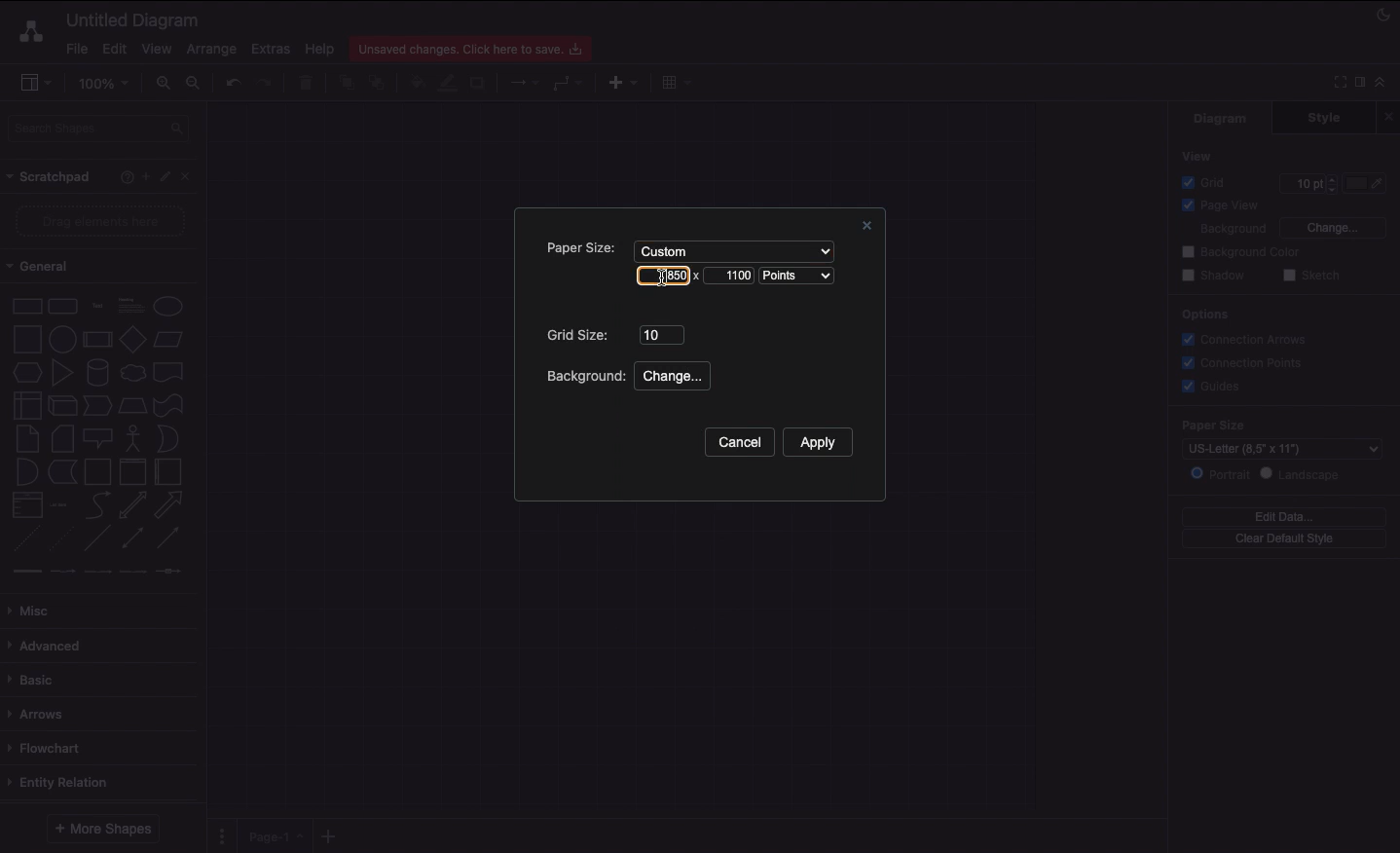 The image size is (1400, 853). Describe the element at coordinates (1214, 388) in the screenshot. I see `Guides` at that location.